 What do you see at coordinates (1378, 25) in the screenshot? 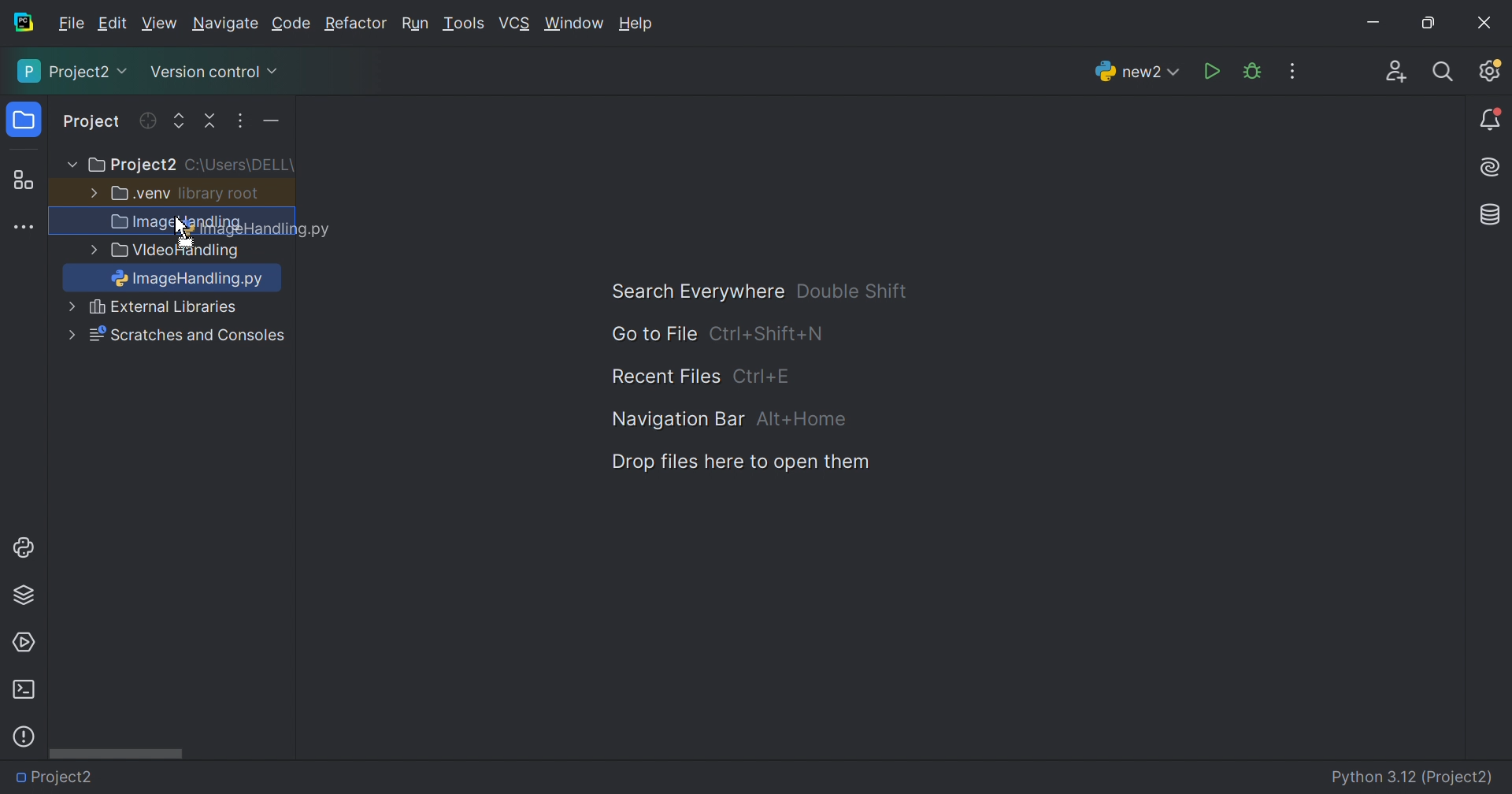
I see `Minimize` at bounding box center [1378, 25].